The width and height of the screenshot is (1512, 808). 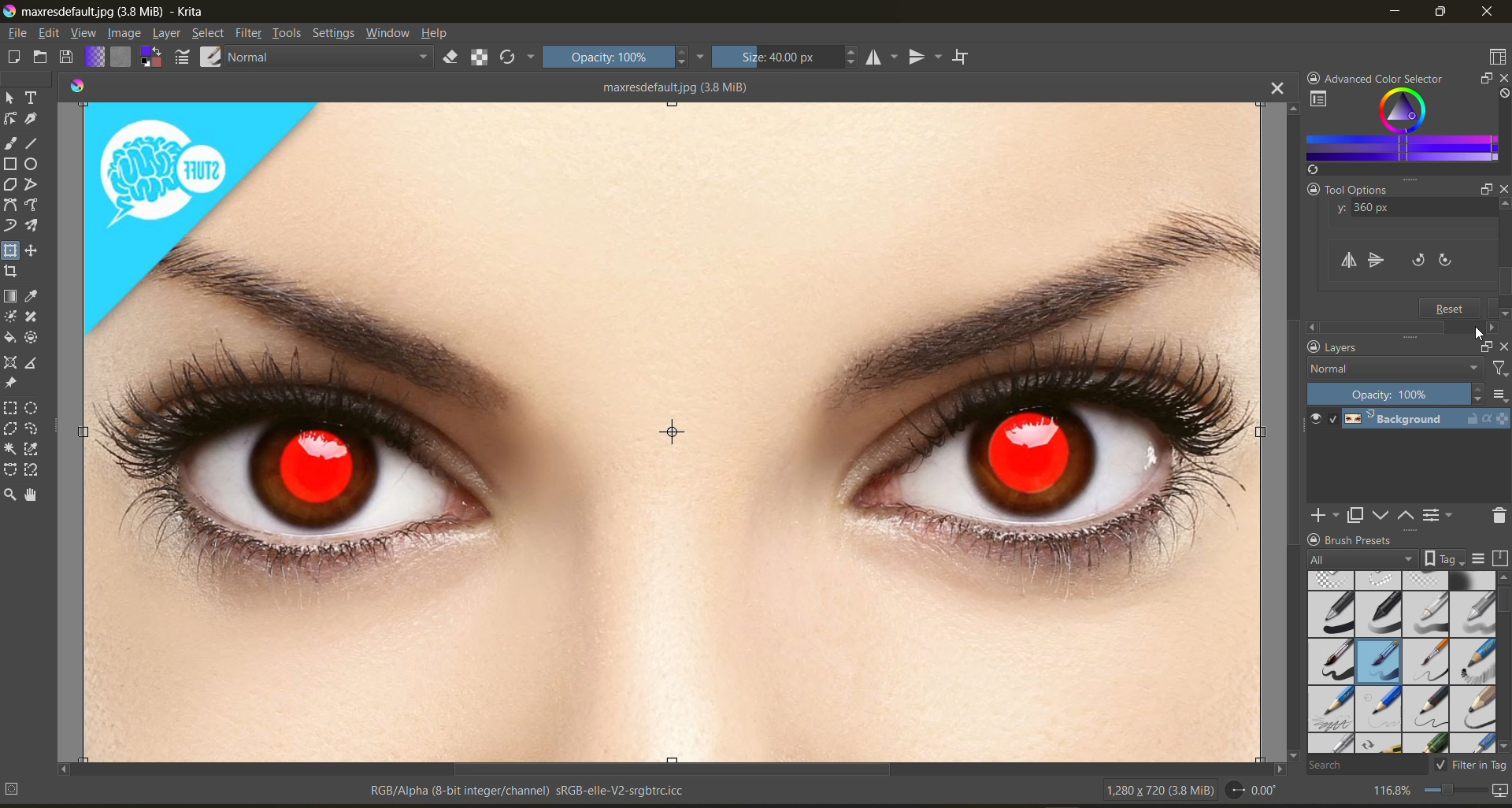 I want to click on opacity, so click(x=626, y=60).